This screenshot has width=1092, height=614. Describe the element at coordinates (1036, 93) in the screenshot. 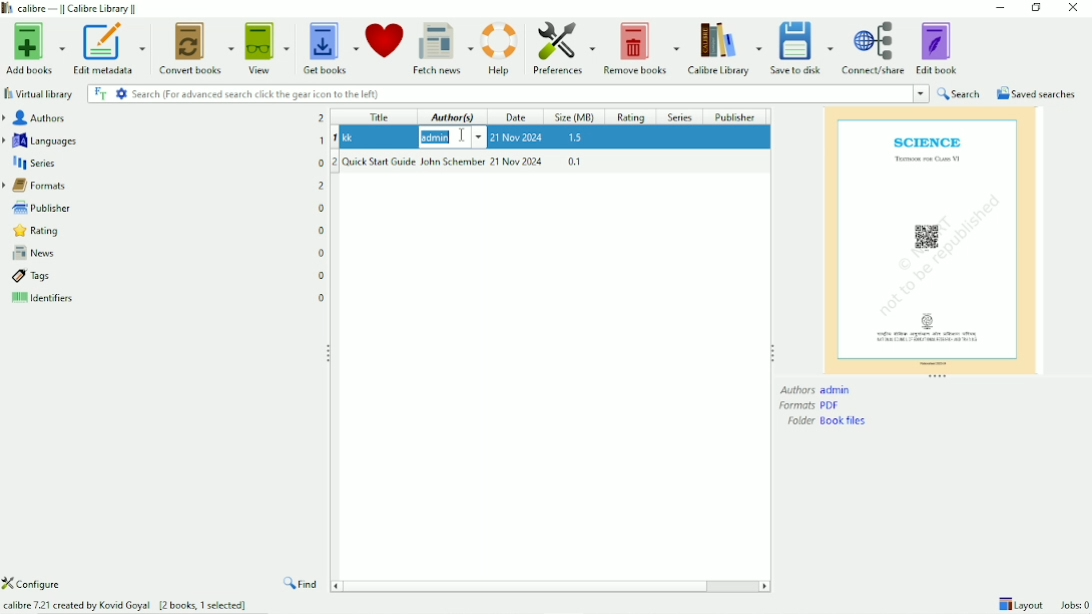

I see `Saved searches` at that location.